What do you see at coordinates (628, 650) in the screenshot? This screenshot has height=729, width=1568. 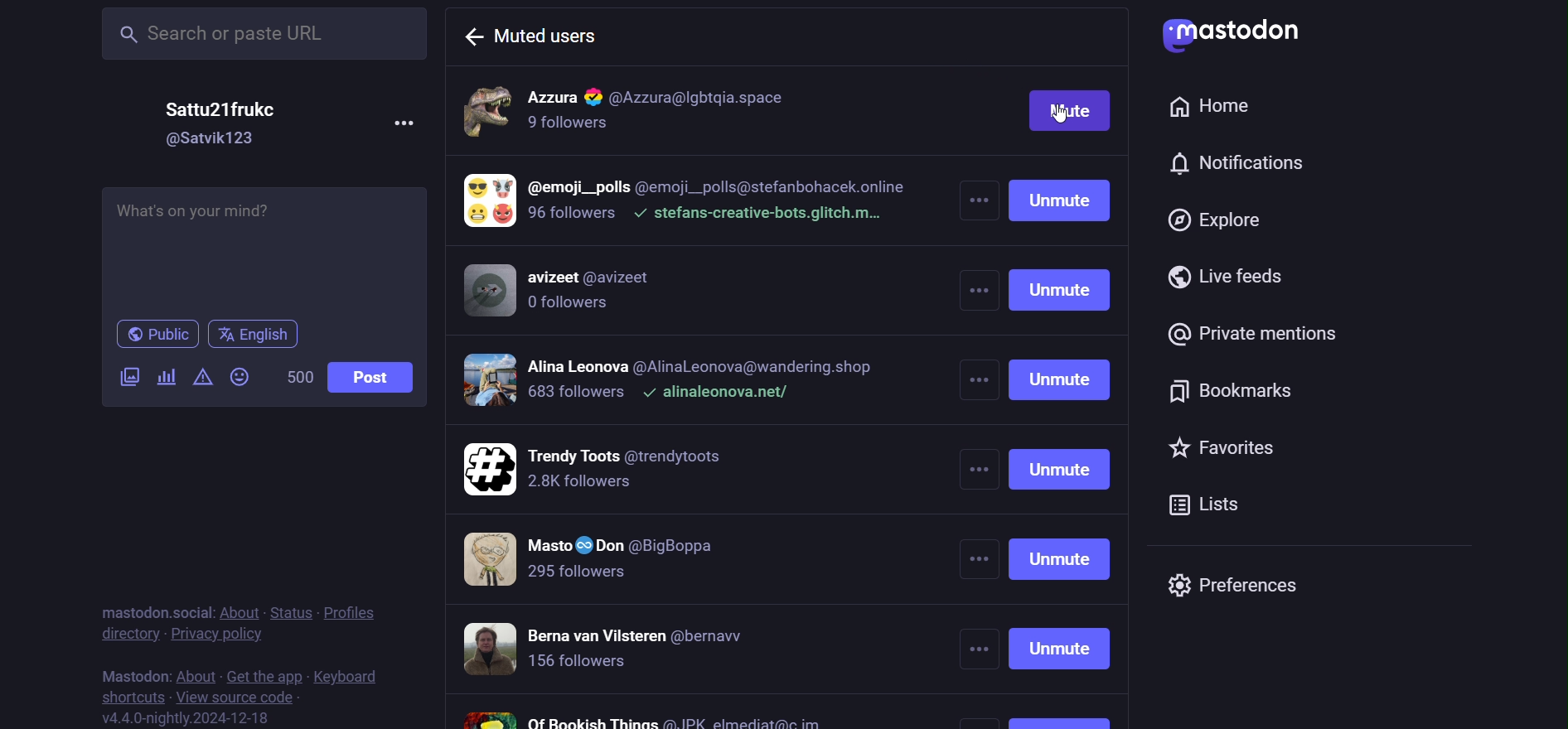 I see `muted user 7` at bounding box center [628, 650].